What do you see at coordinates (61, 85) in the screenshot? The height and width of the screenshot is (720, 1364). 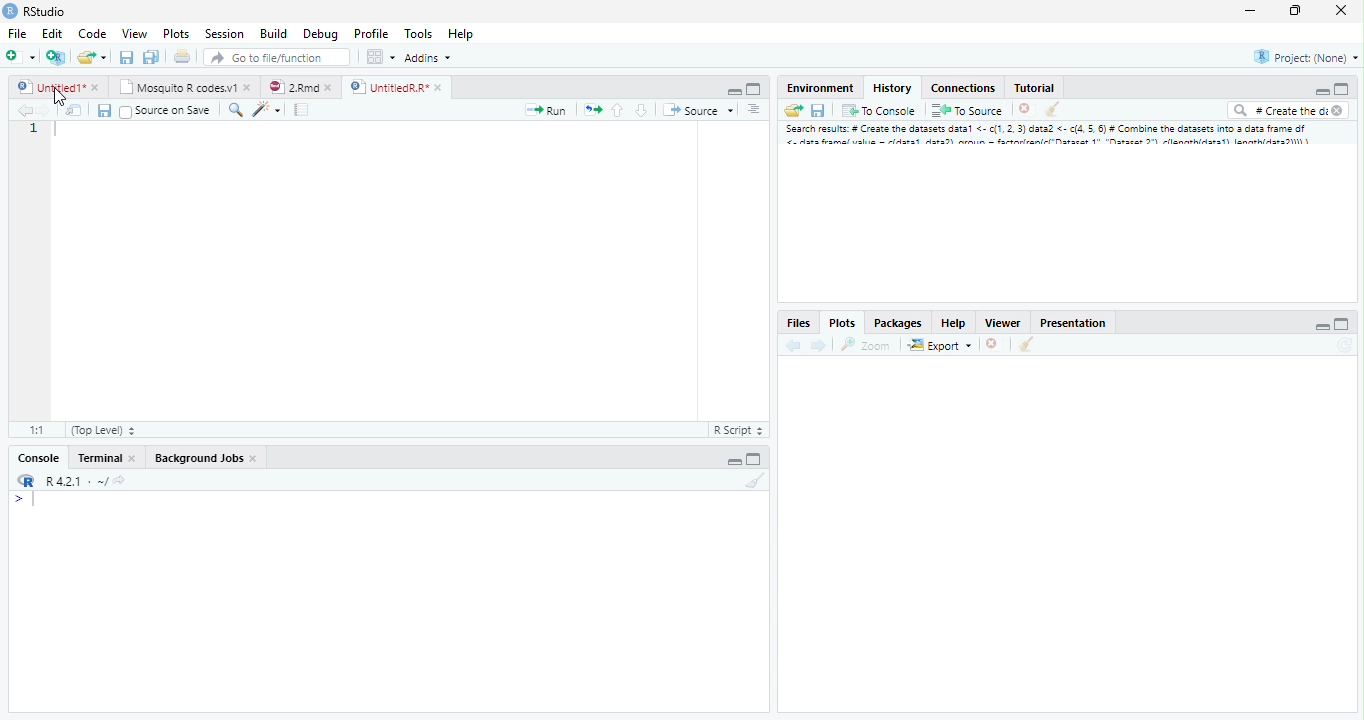 I see `Untitled` at bounding box center [61, 85].